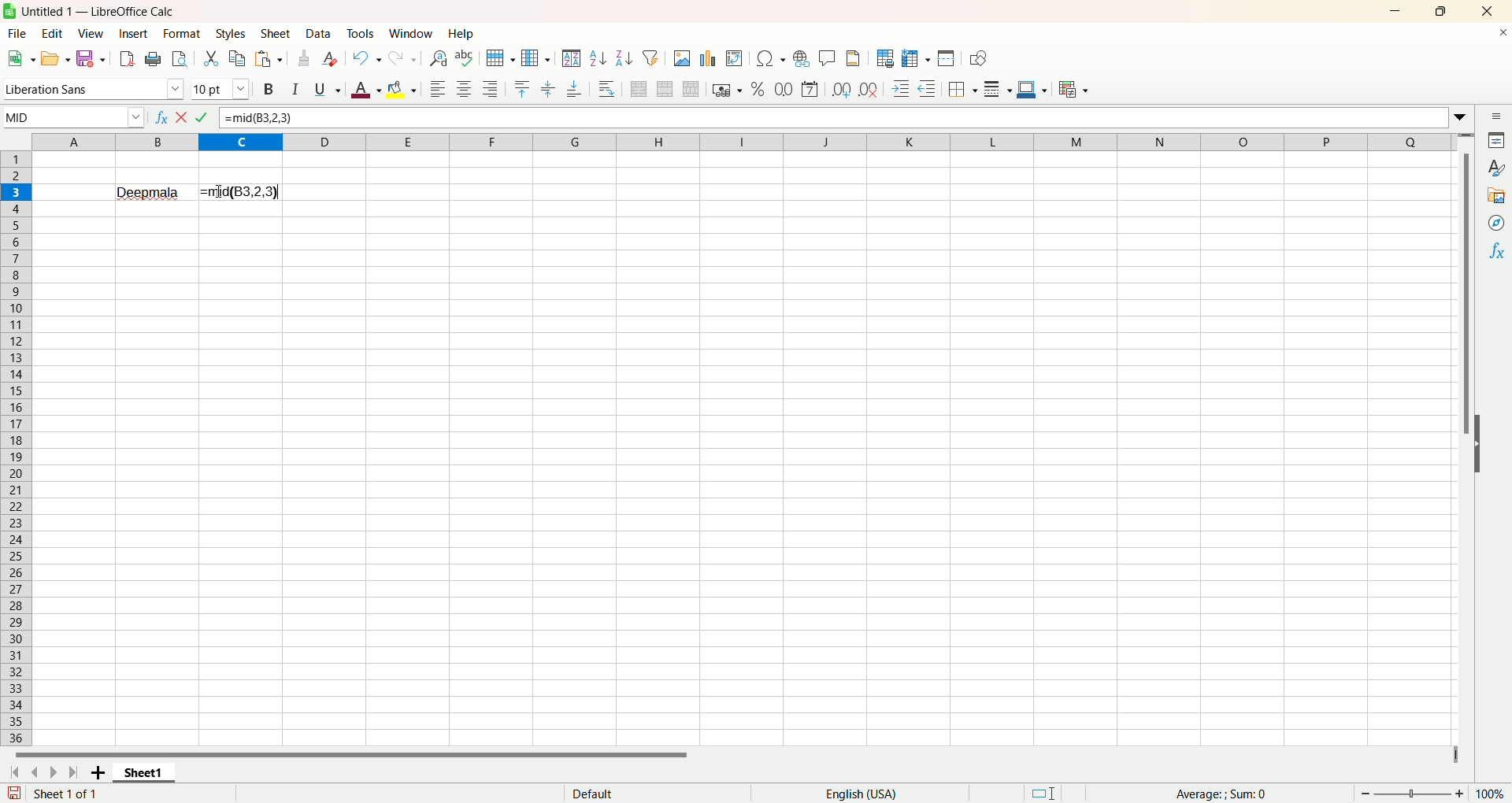 The height and width of the screenshot is (803, 1512). What do you see at coordinates (220, 191) in the screenshot?
I see `Cursor` at bounding box center [220, 191].